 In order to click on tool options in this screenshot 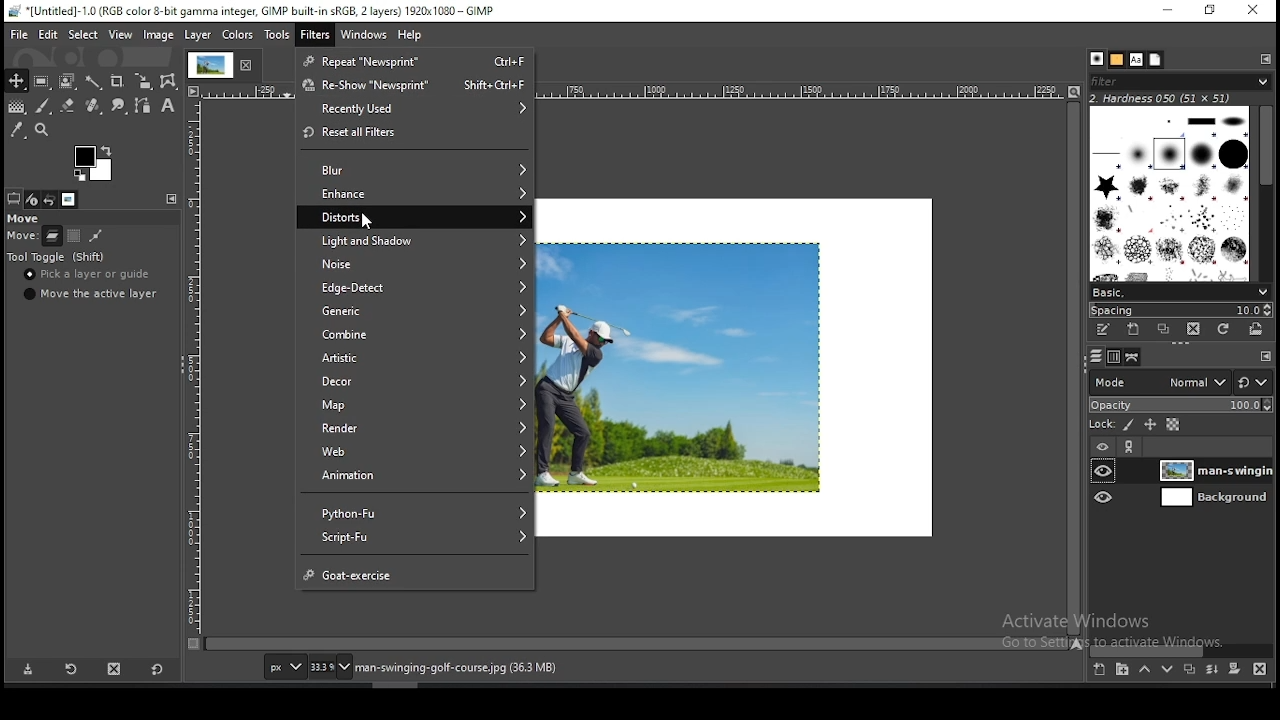, I will do `click(14, 198)`.